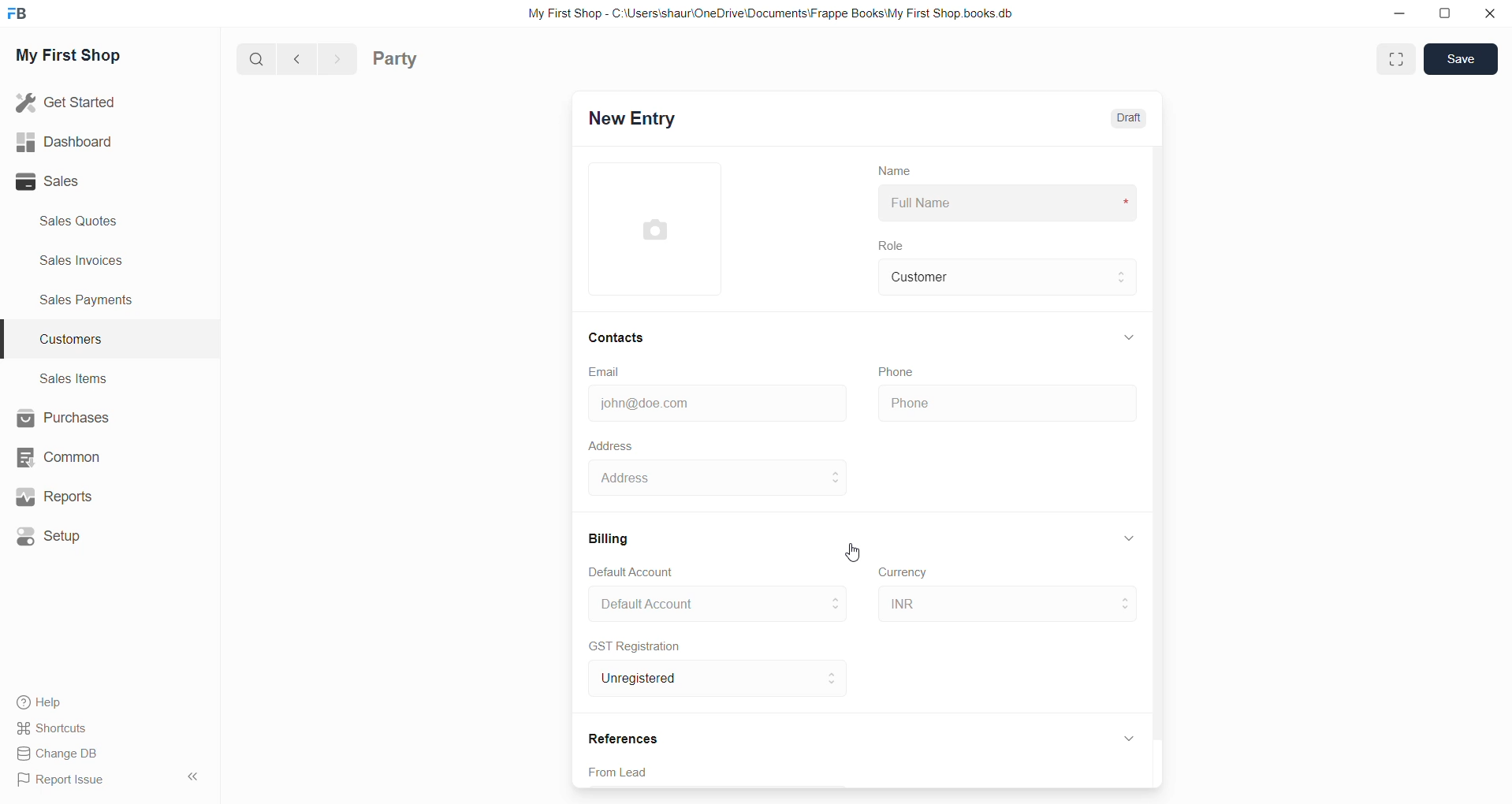  Describe the element at coordinates (400, 61) in the screenshot. I see `Party` at that location.